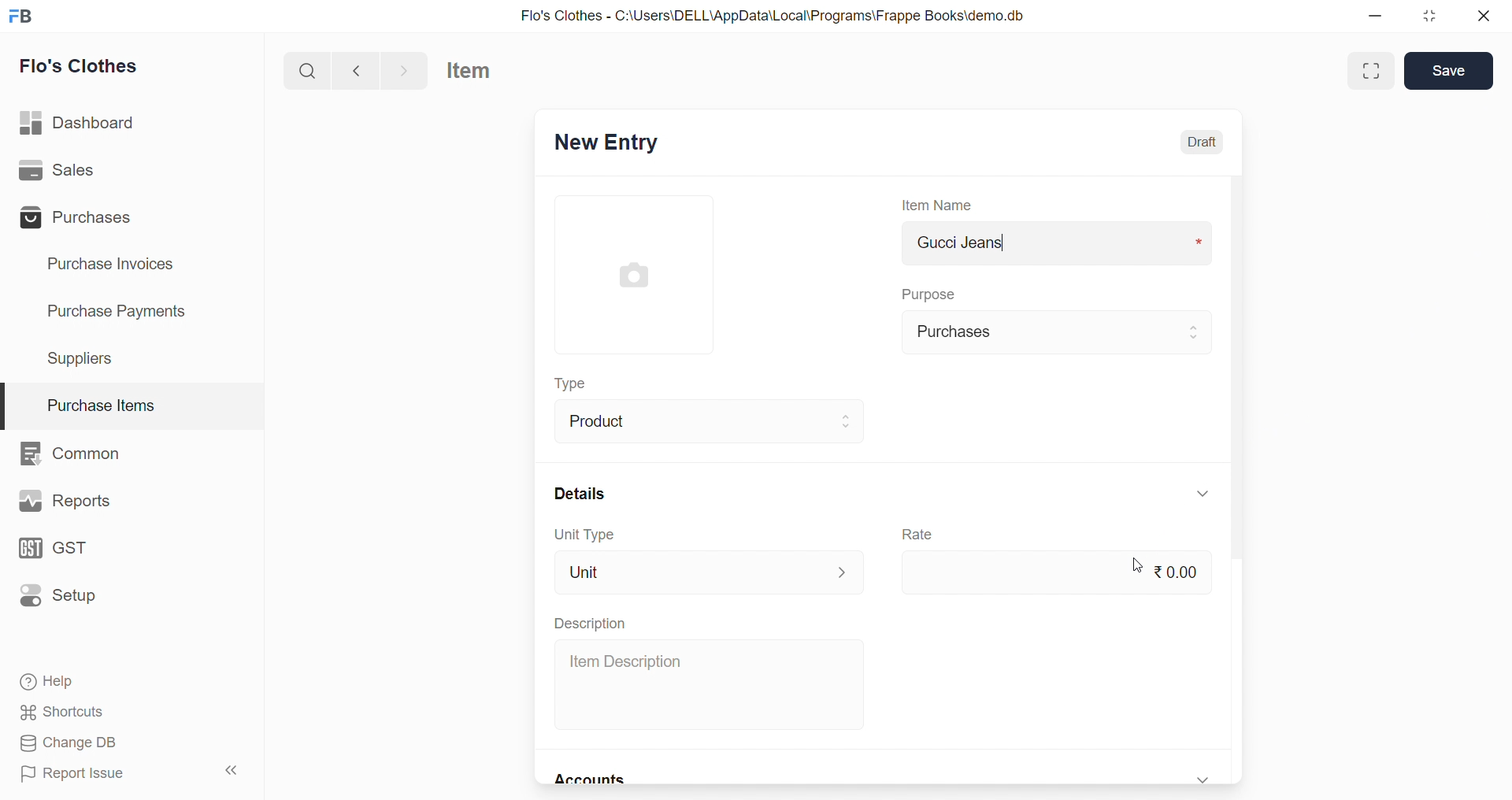 The height and width of the screenshot is (800, 1512). I want to click on logo, so click(20, 17).